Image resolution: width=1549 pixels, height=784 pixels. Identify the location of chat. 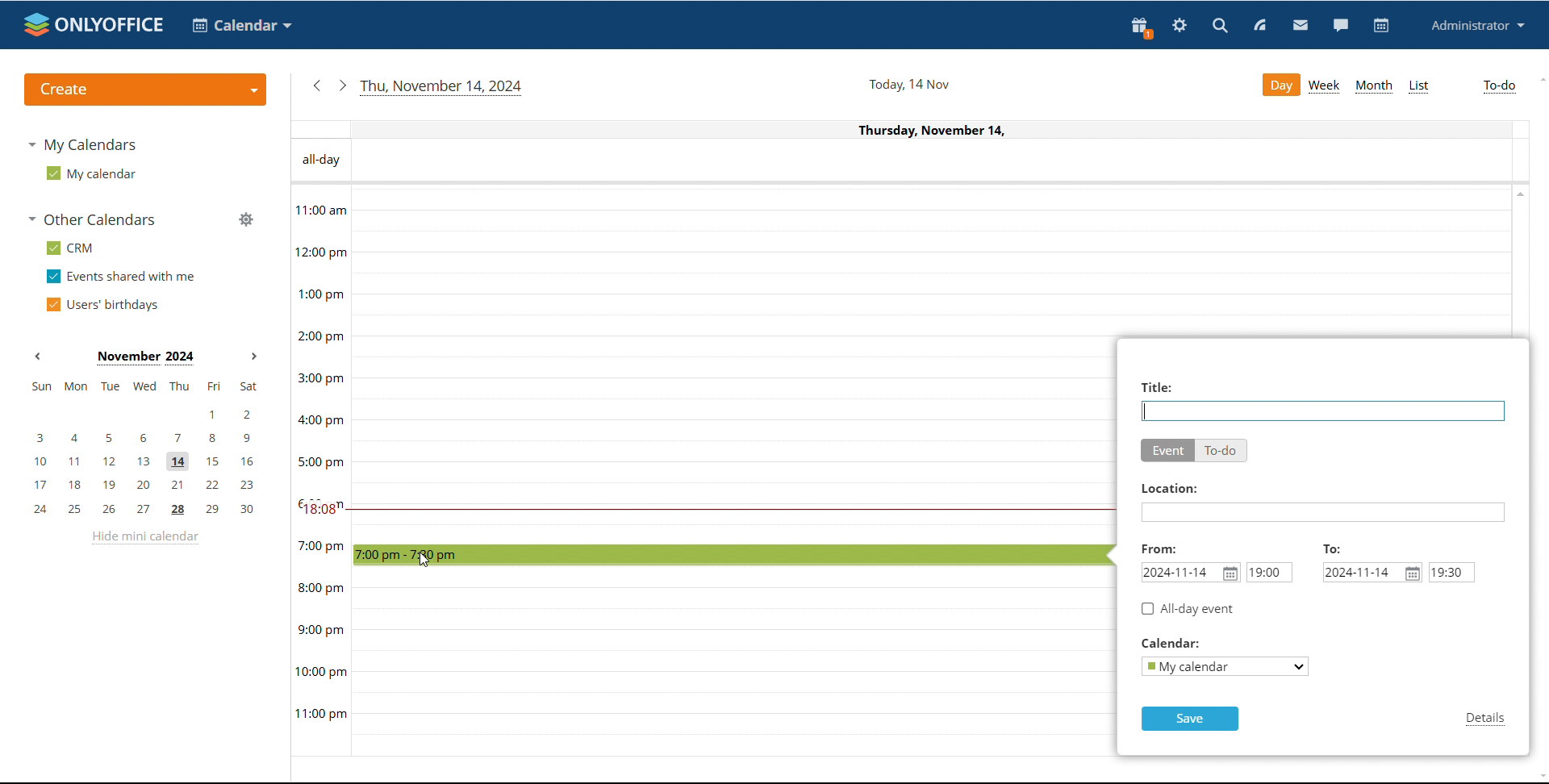
(1340, 25).